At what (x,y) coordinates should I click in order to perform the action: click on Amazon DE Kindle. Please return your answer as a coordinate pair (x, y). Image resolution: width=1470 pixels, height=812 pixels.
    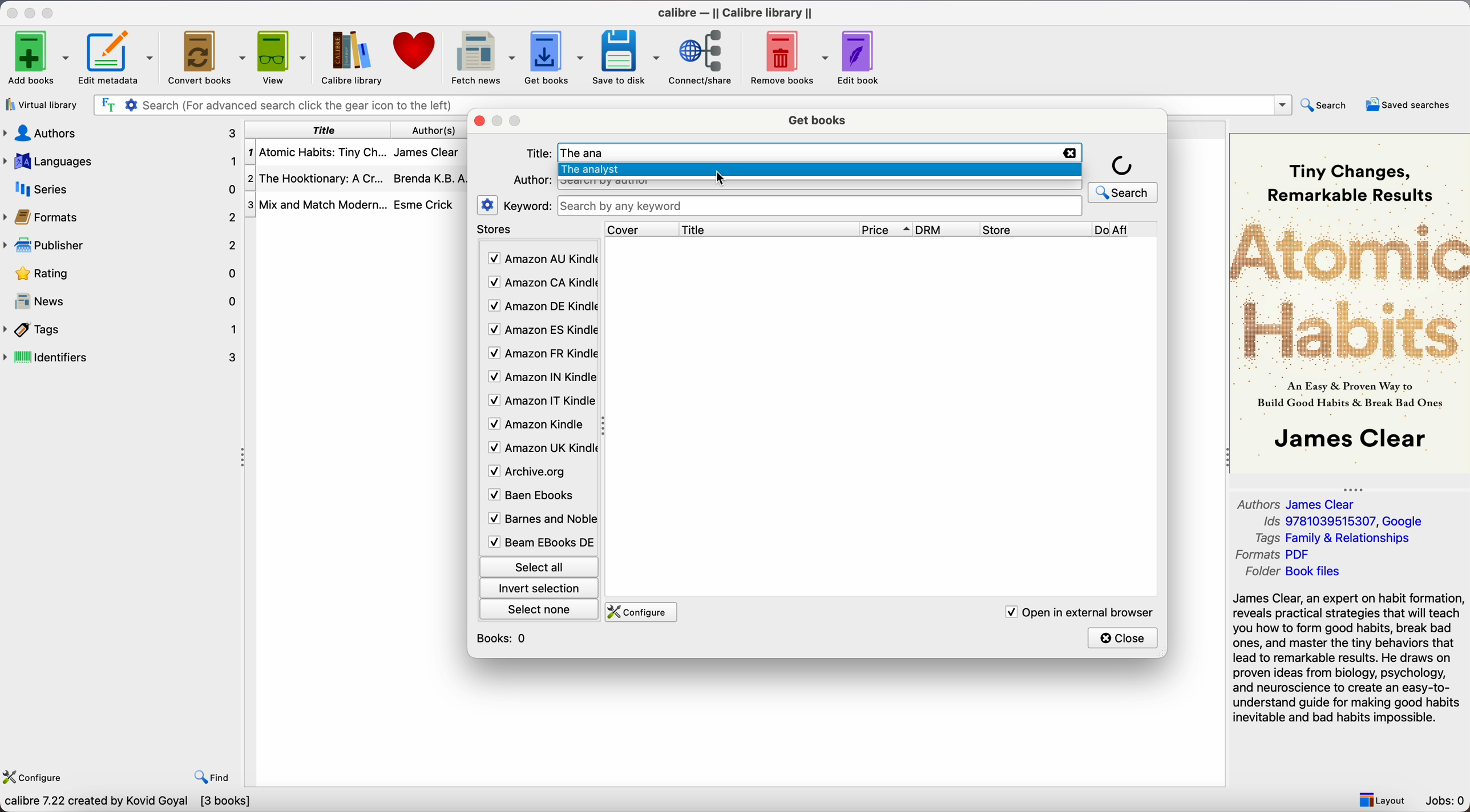
    Looking at the image, I should click on (541, 308).